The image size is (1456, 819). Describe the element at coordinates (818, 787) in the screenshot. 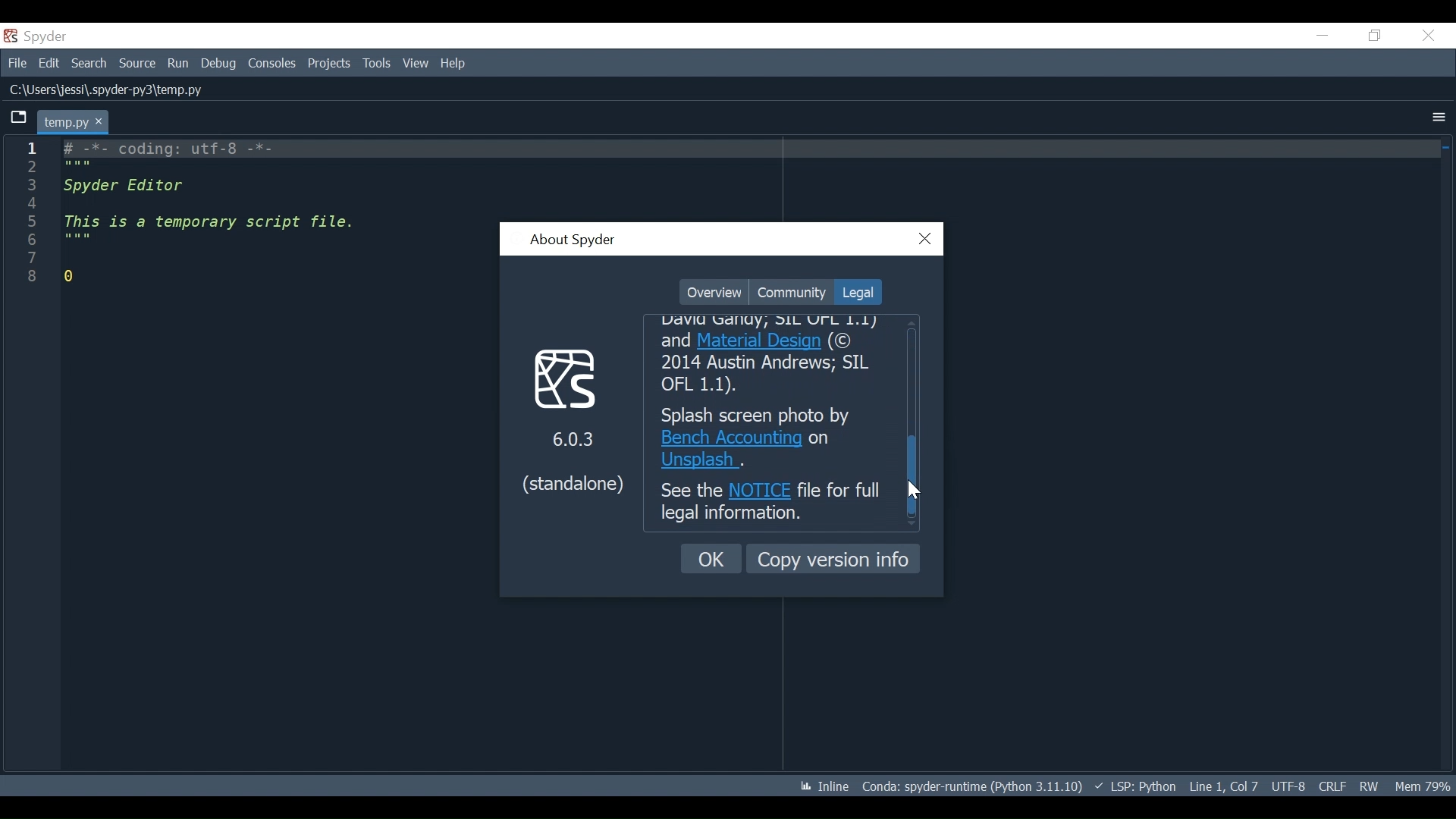

I see `Inline` at that location.